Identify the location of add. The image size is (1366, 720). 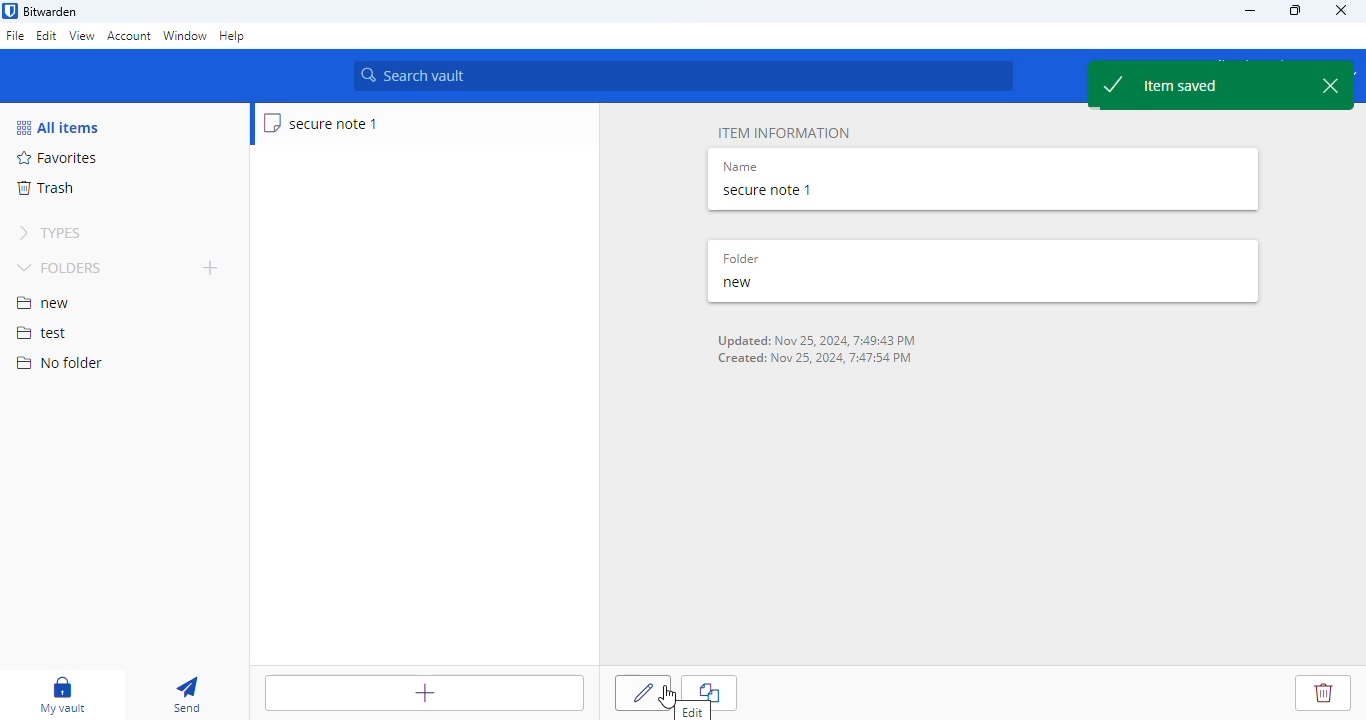
(211, 267).